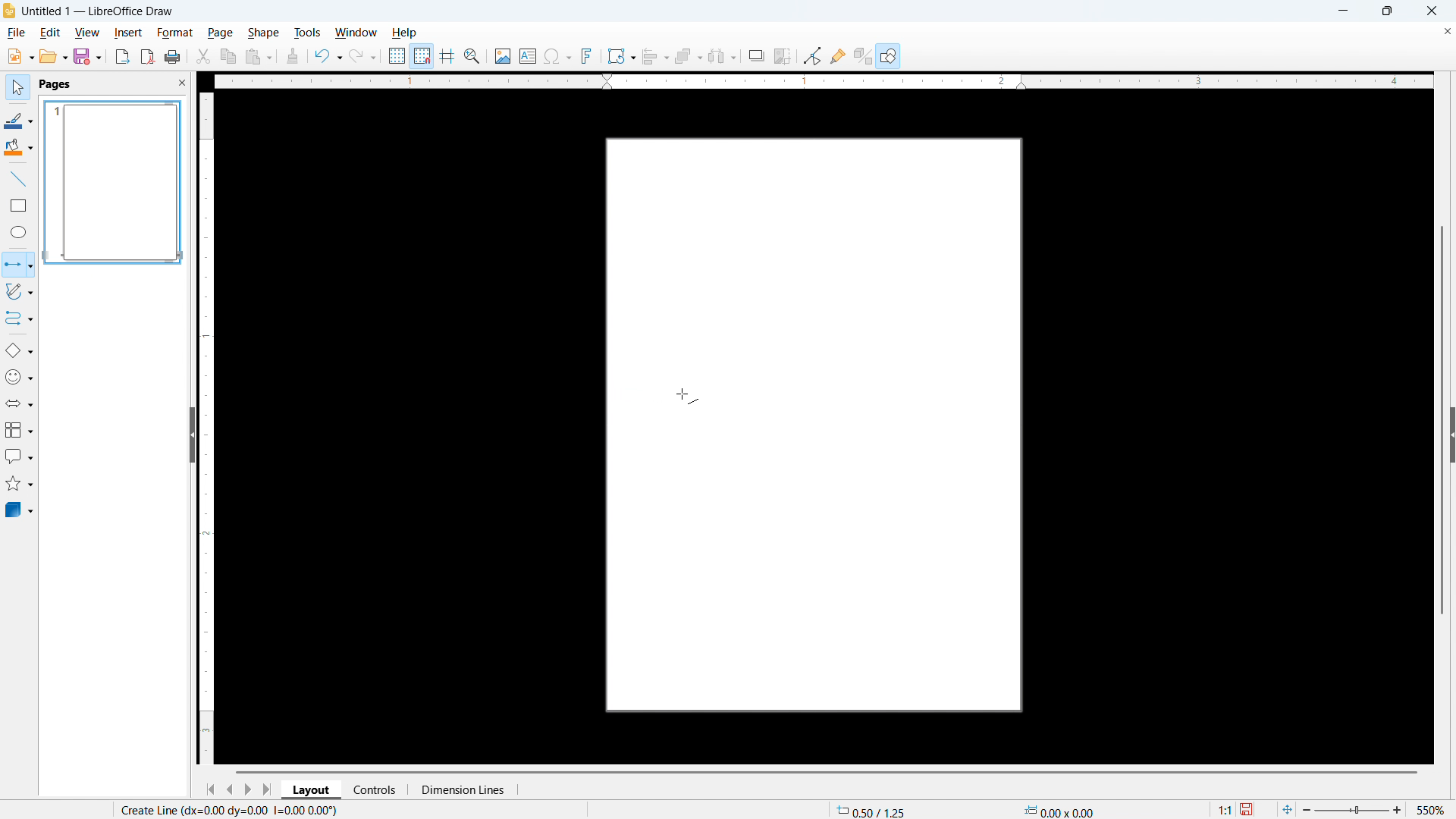 The height and width of the screenshot is (819, 1456). I want to click on Window , so click(355, 33).